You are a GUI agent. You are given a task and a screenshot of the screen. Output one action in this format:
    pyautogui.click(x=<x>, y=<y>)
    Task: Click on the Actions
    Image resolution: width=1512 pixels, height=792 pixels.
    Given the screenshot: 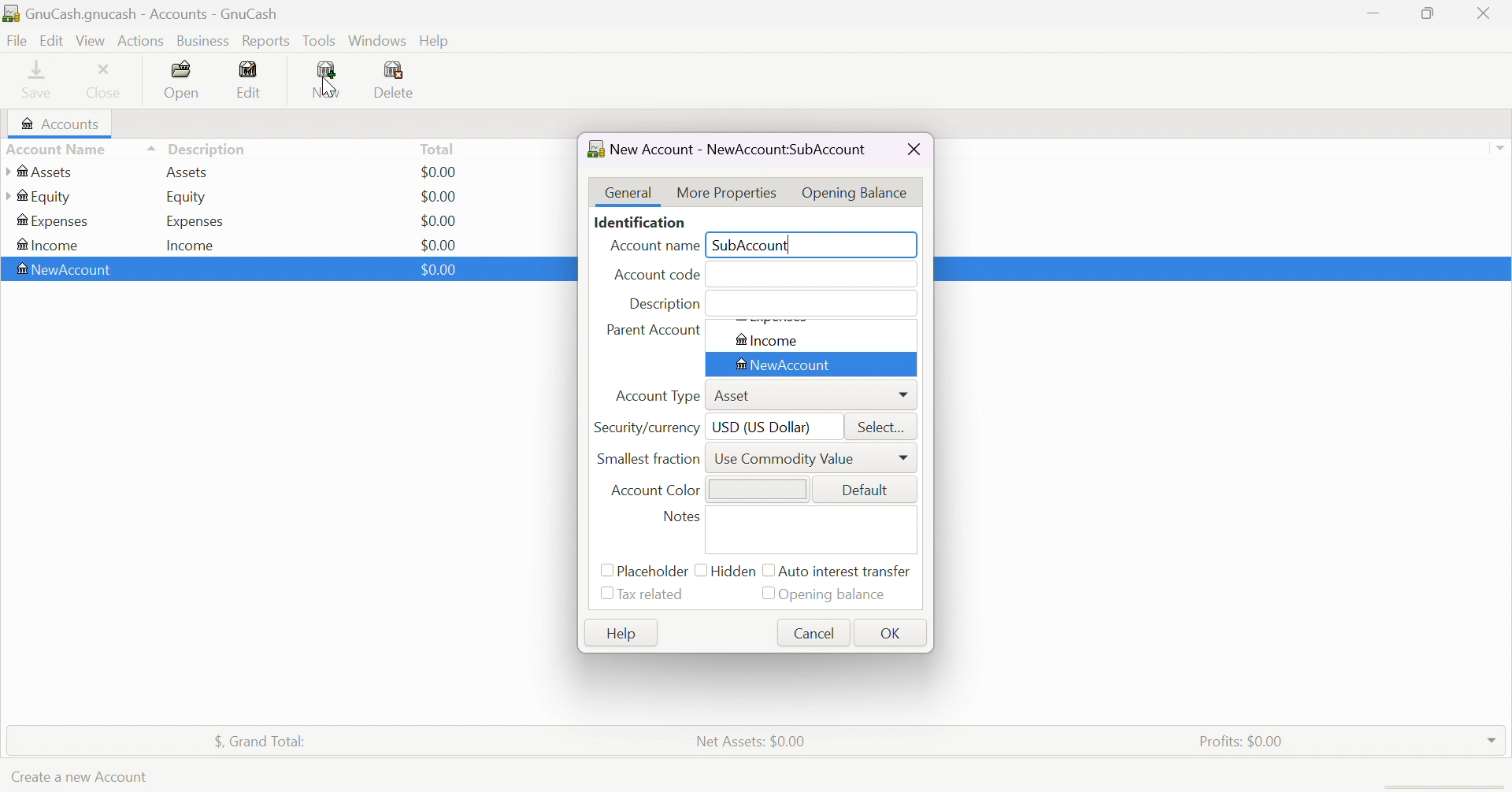 What is the action you would take?
    pyautogui.click(x=140, y=41)
    